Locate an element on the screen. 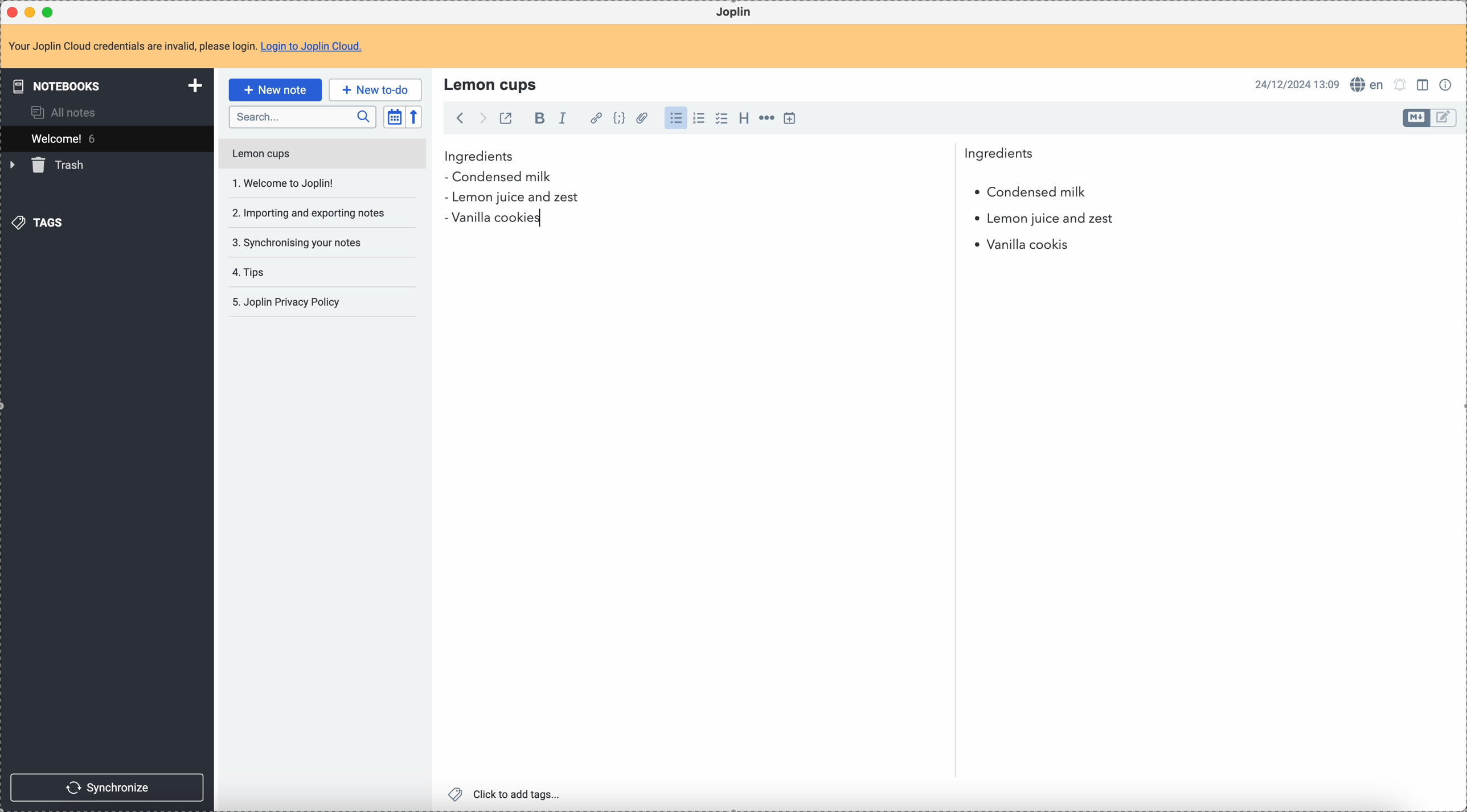 The height and width of the screenshot is (812, 1467). toggle external editing is located at coordinates (505, 120).